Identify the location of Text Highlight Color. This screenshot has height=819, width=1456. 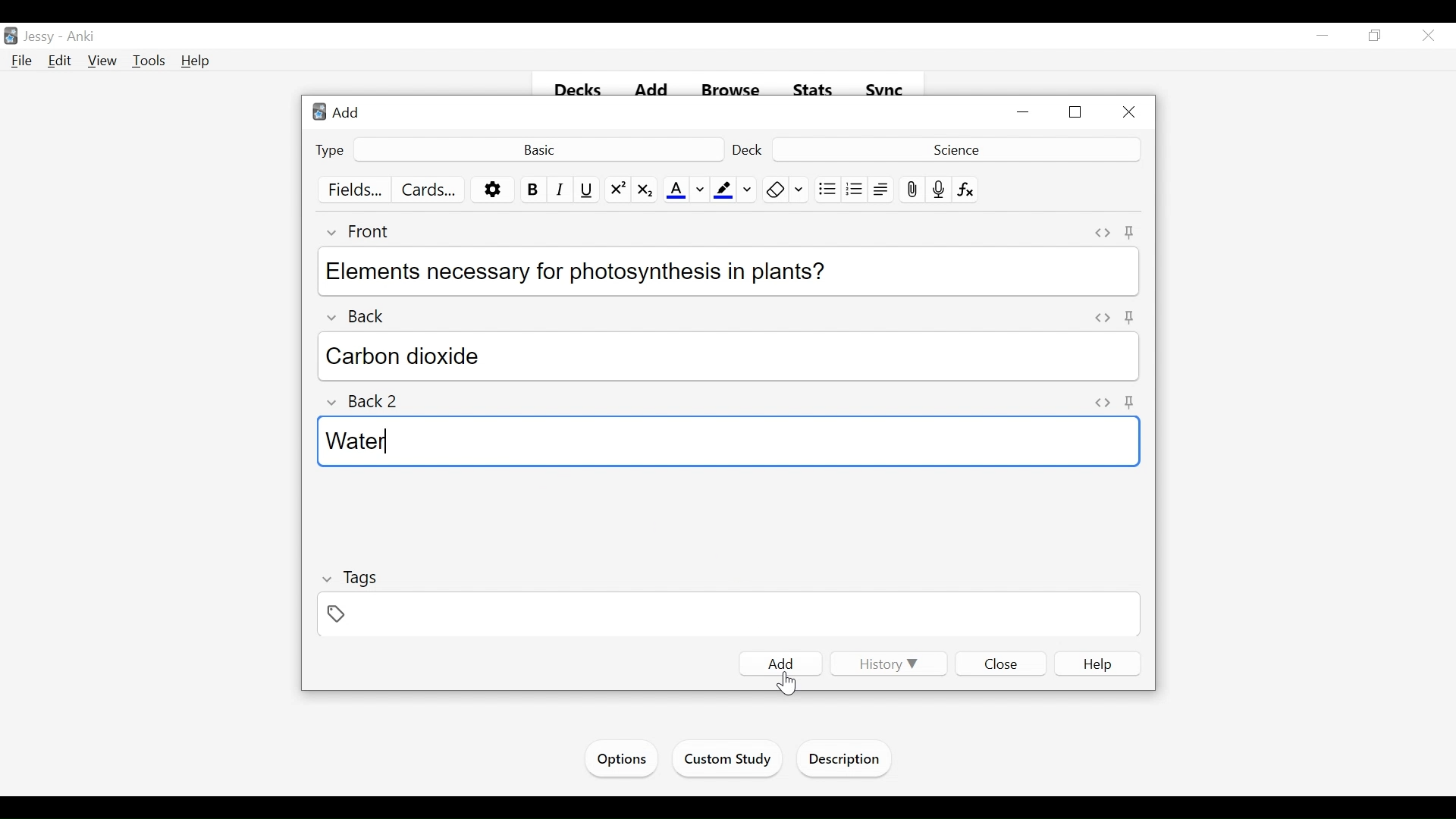
(722, 190).